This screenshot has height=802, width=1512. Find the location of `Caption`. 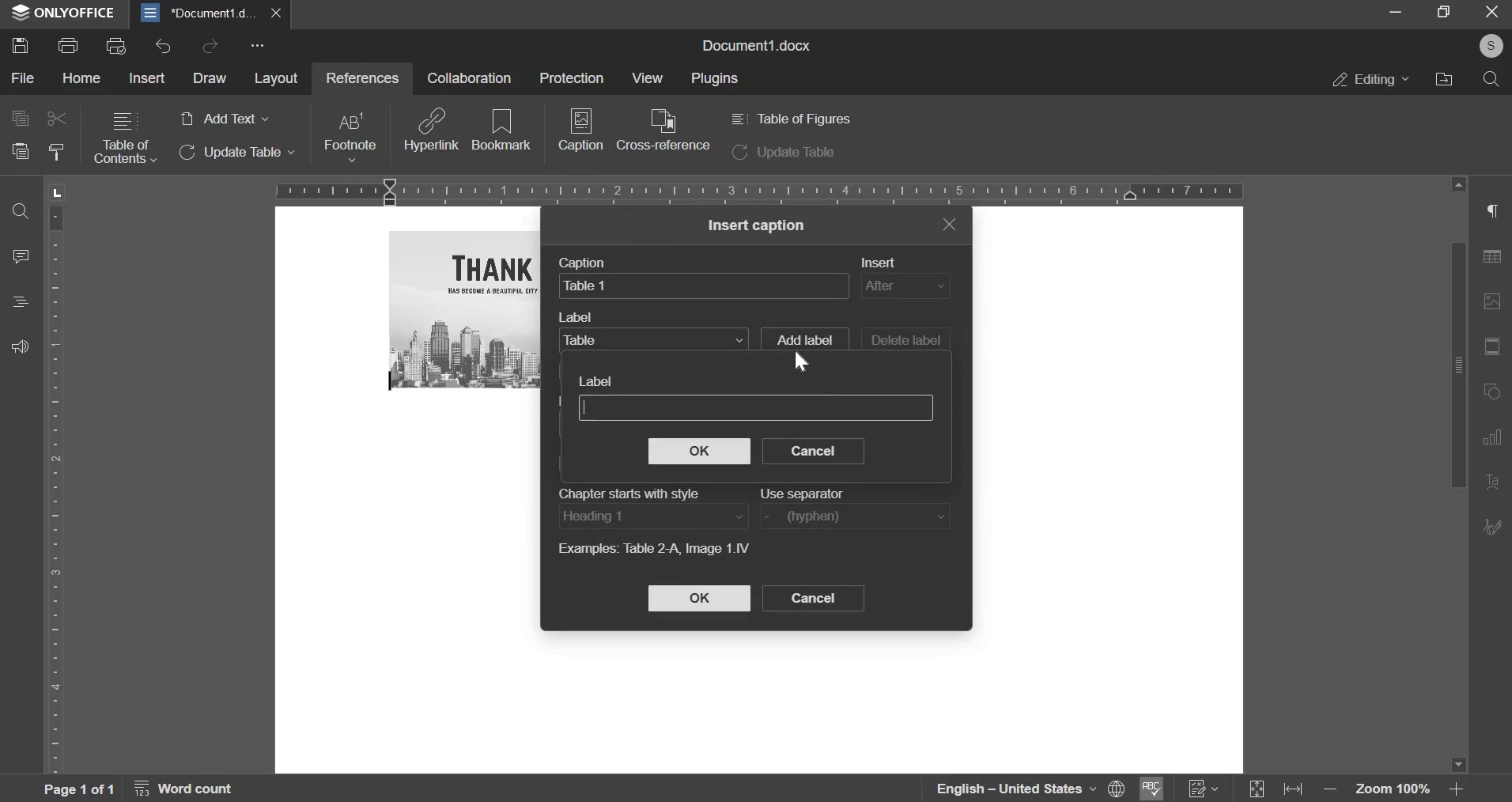

Caption is located at coordinates (585, 261).